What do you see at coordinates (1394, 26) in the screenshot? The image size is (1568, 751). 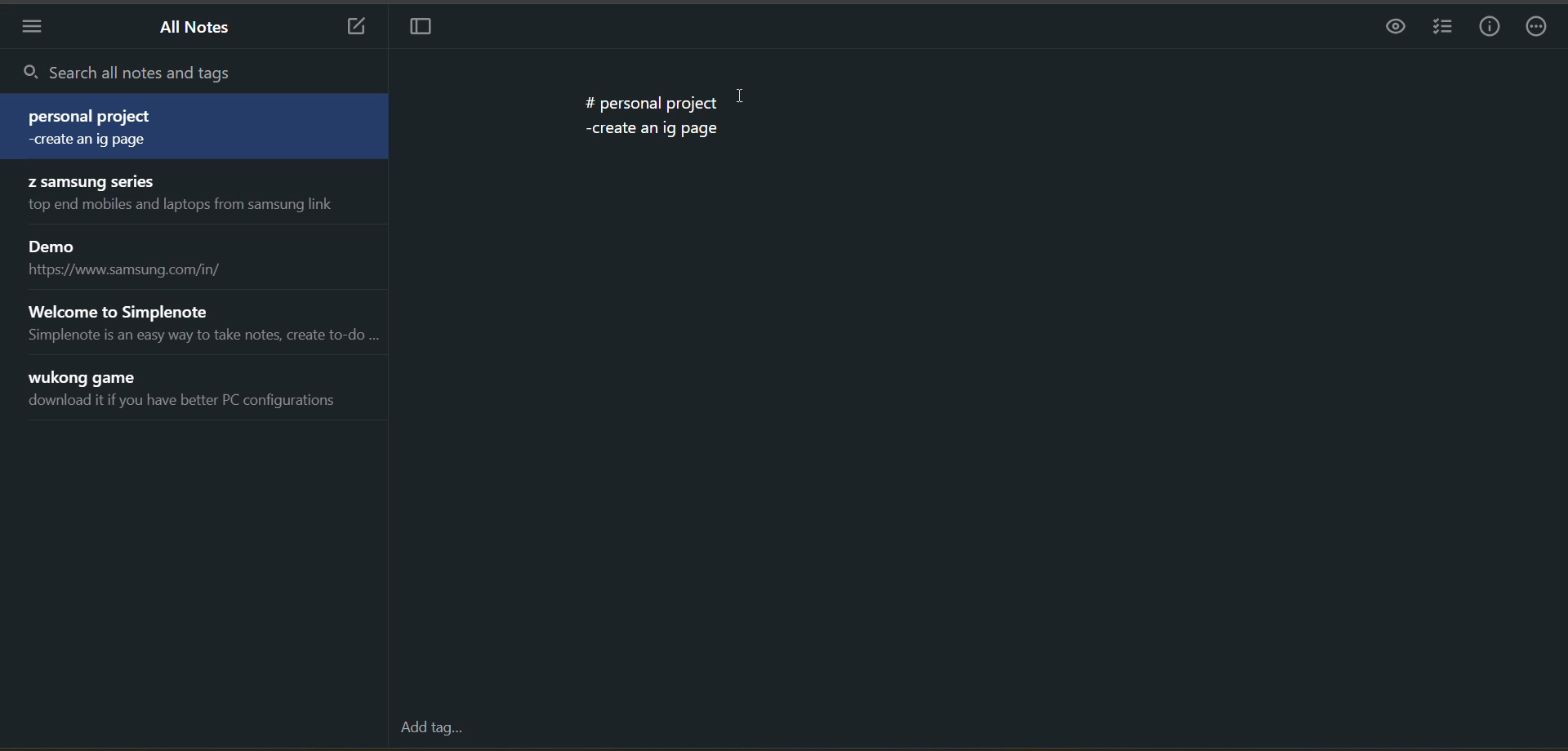 I see `preview` at bounding box center [1394, 26].